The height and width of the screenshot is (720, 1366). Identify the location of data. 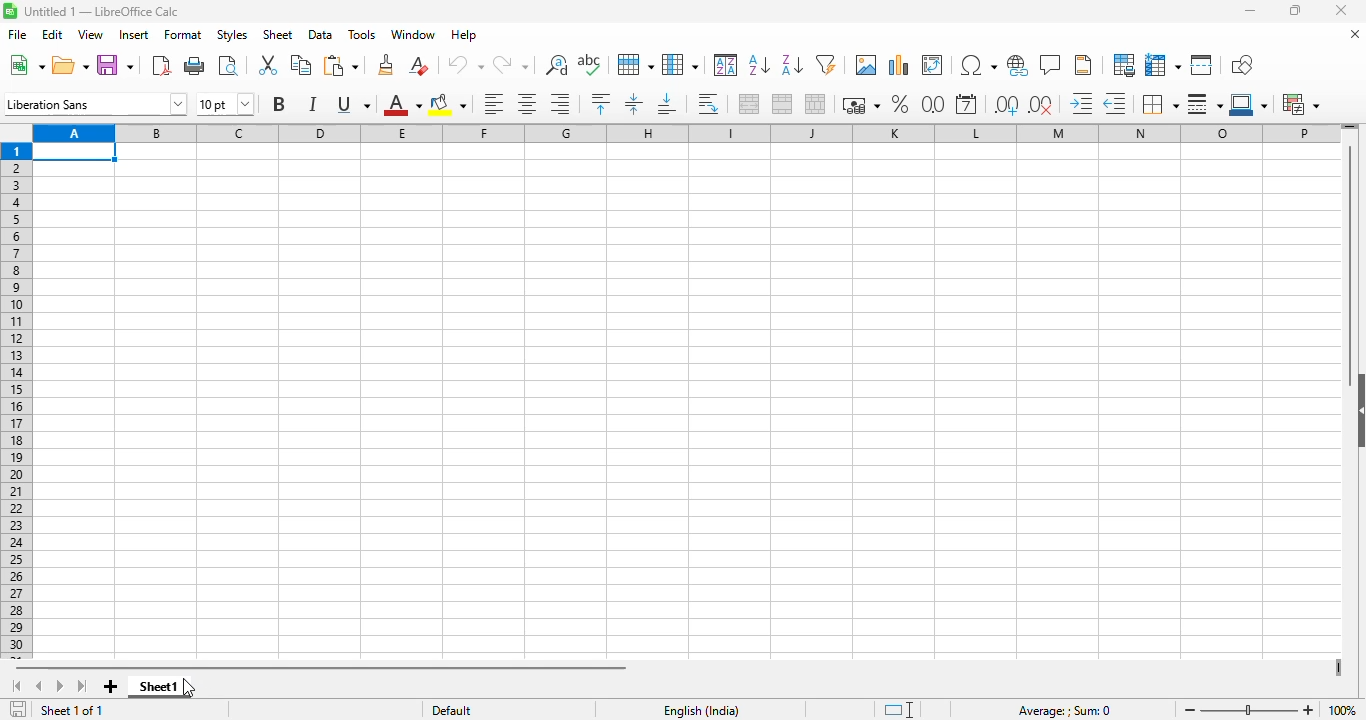
(321, 35).